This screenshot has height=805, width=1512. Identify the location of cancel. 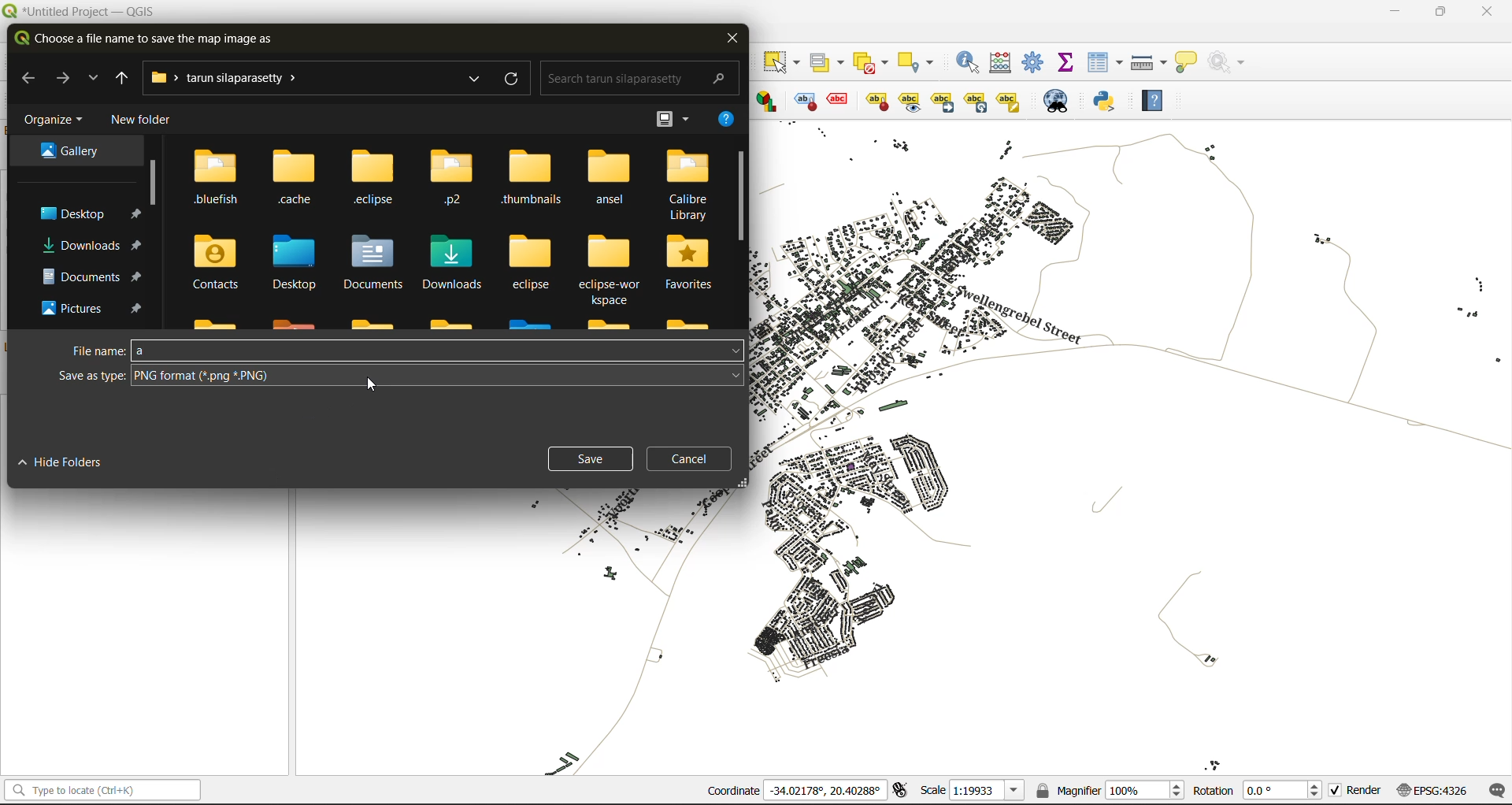
(690, 459).